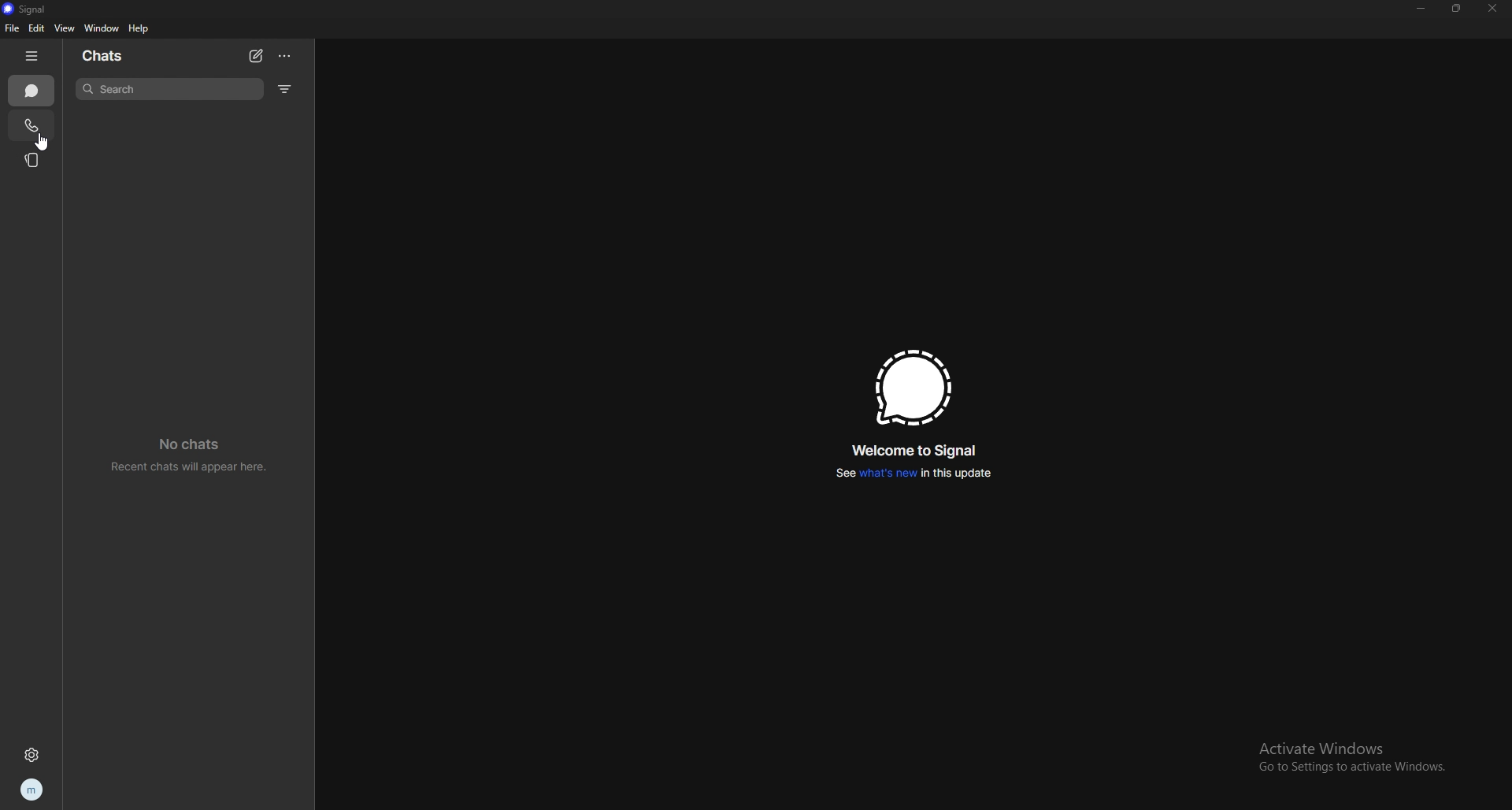  I want to click on settings, so click(31, 754).